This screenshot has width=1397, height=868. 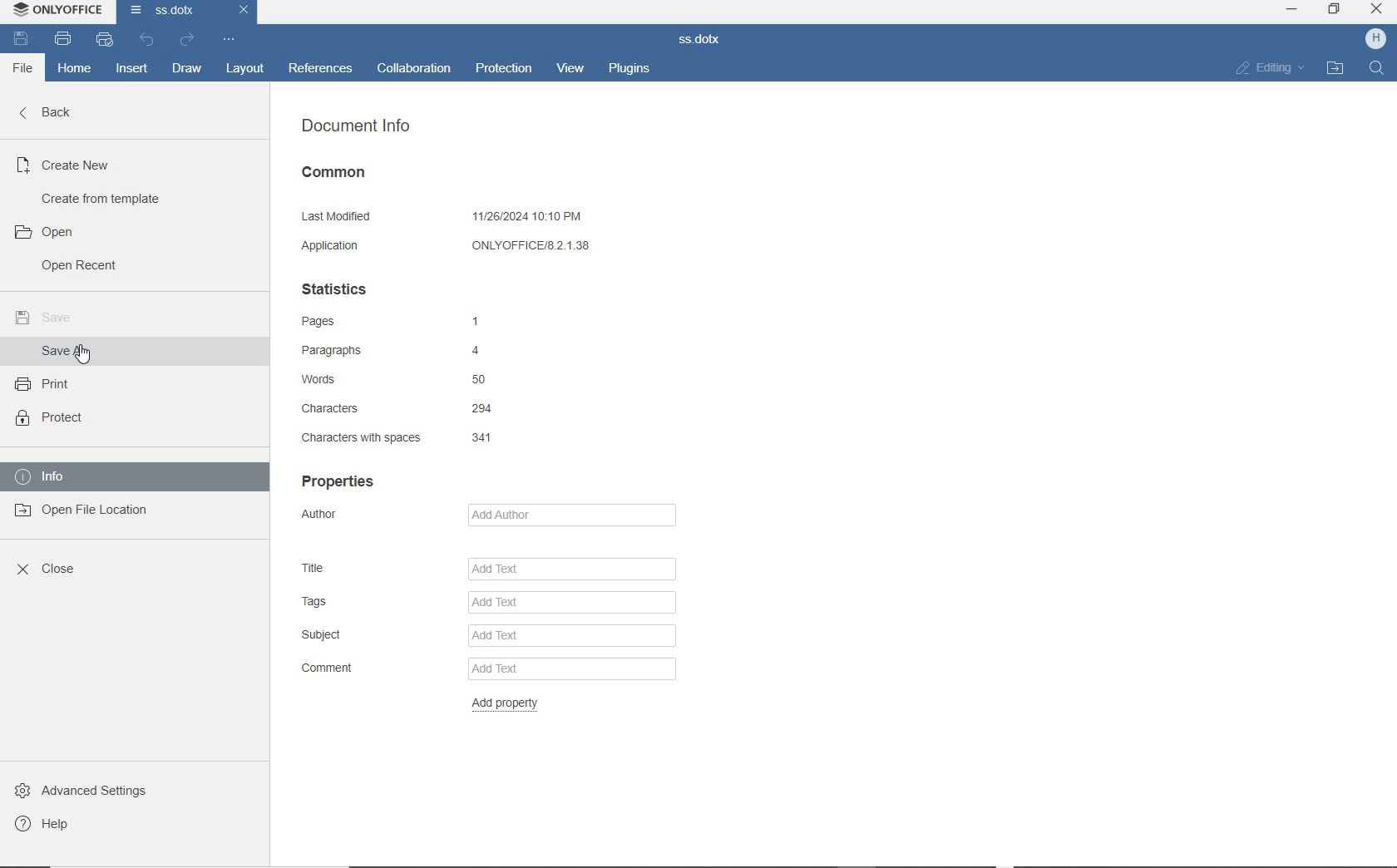 I want to click on SAVE AS, so click(x=61, y=353).